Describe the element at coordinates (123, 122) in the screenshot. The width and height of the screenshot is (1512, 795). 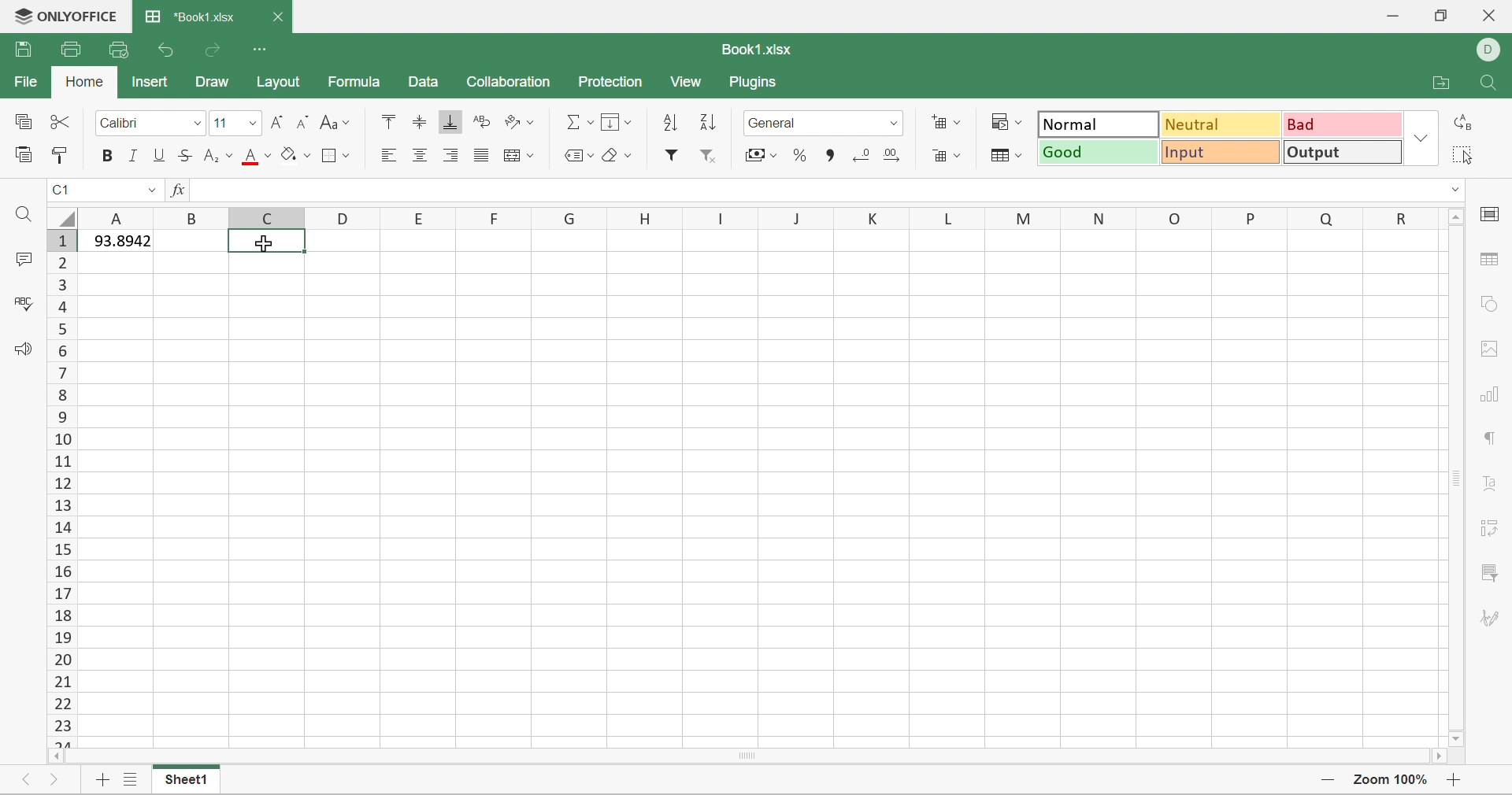
I see `Font` at that location.